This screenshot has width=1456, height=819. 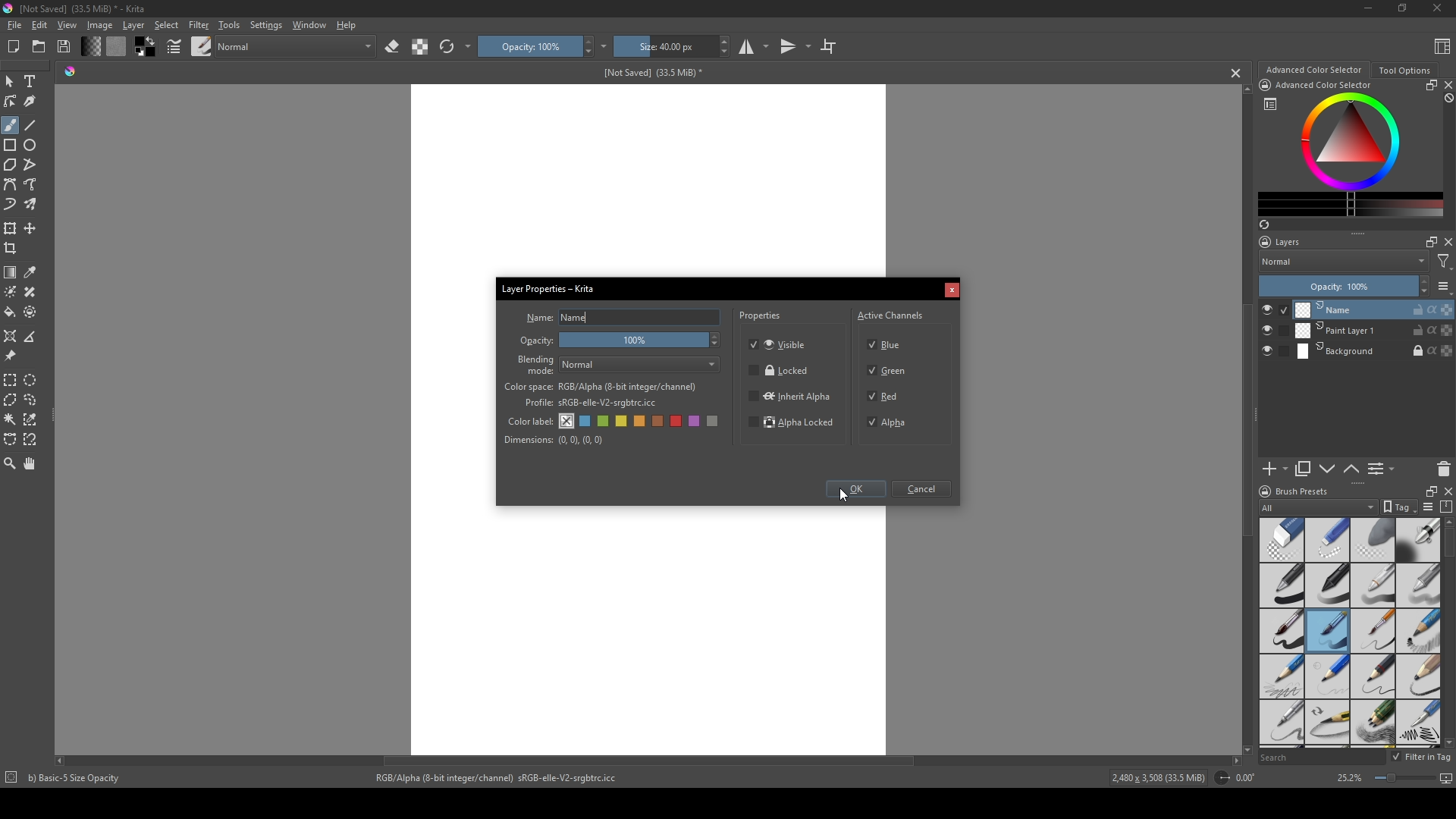 I want to click on red, so click(x=678, y=421).